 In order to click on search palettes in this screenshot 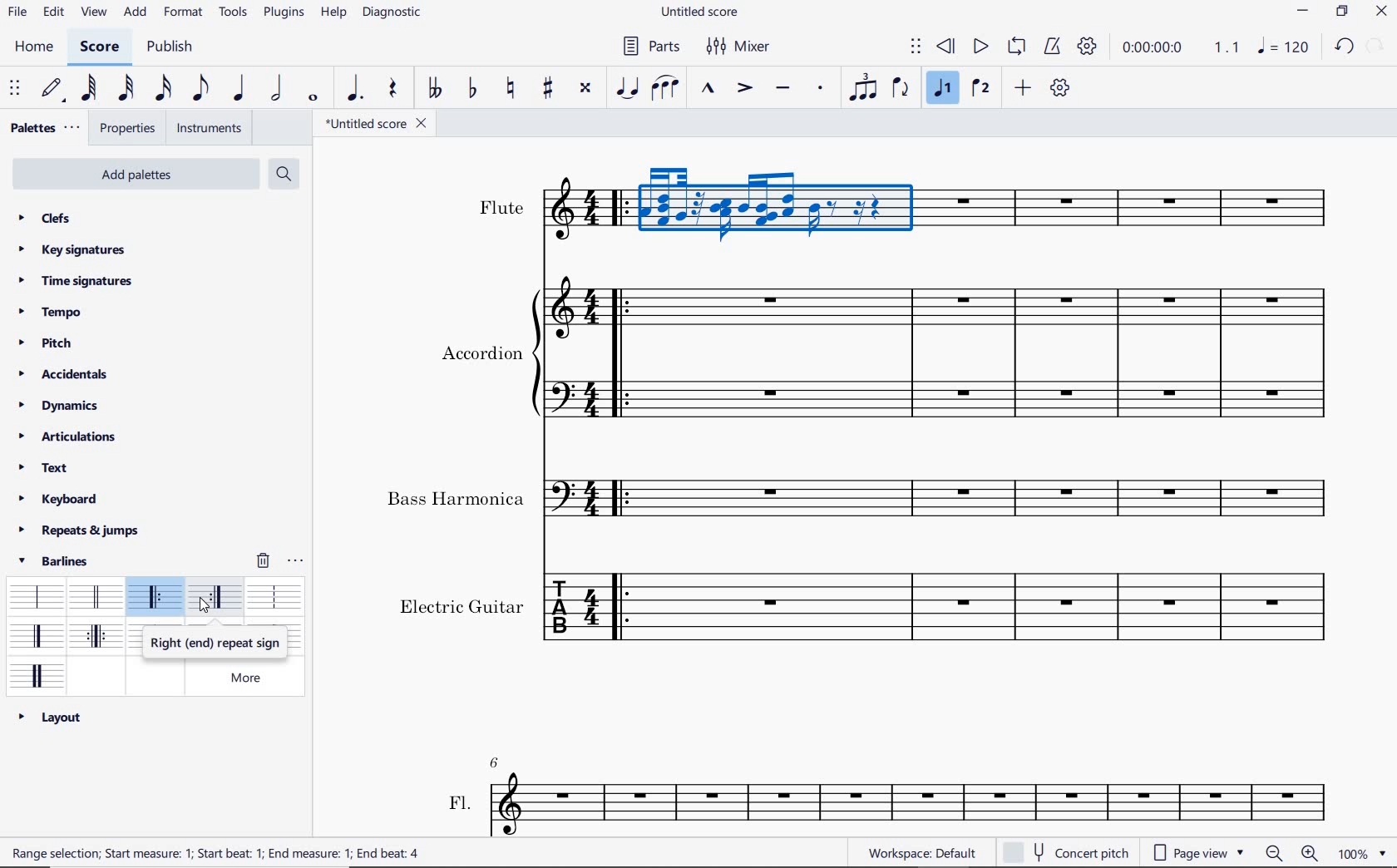, I will do `click(284, 173)`.